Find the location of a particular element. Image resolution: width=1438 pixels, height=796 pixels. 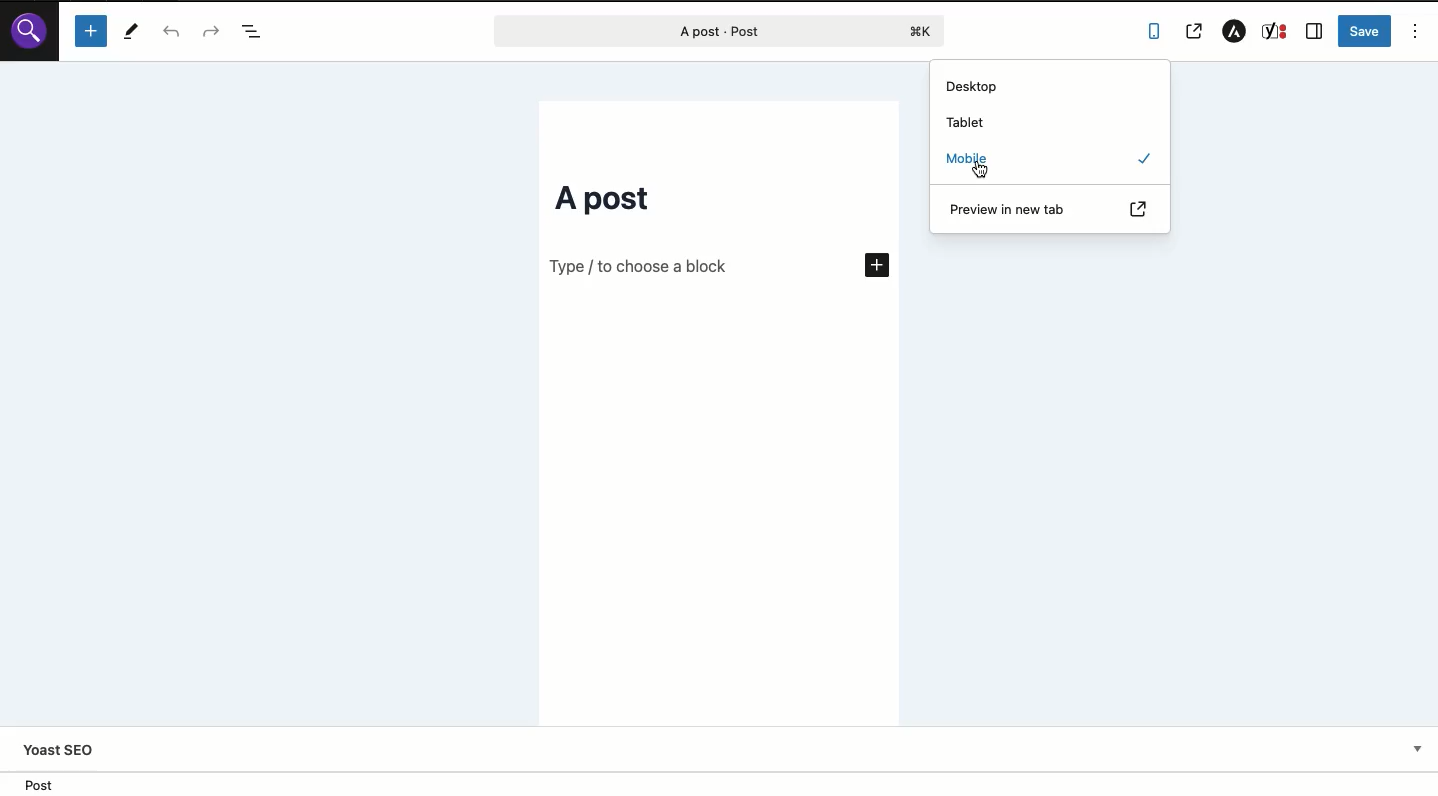

Preview in new tab is located at coordinates (1052, 210).